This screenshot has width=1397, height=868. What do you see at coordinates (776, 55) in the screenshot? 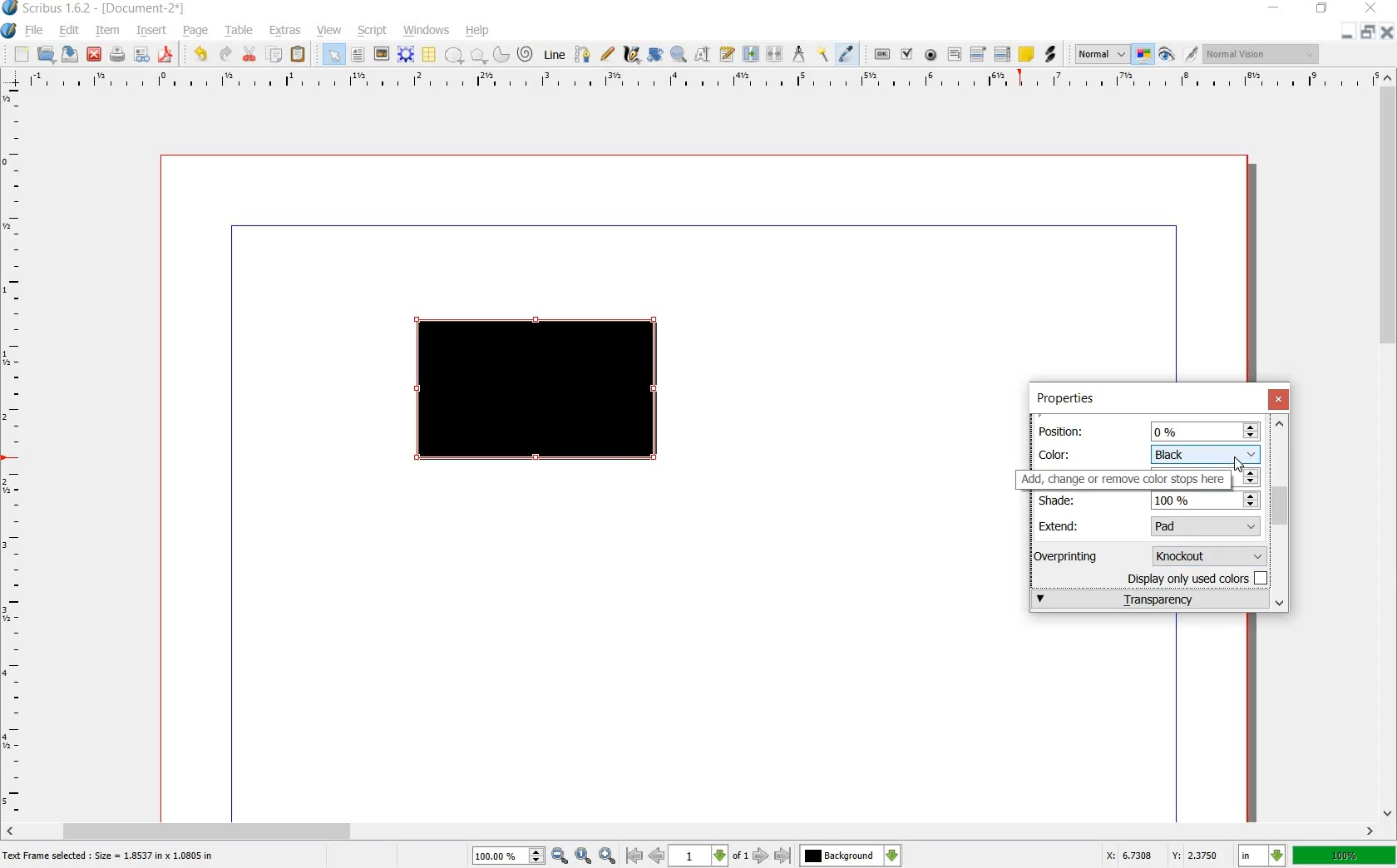
I see `unlink text frame` at bounding box center [776, 55].